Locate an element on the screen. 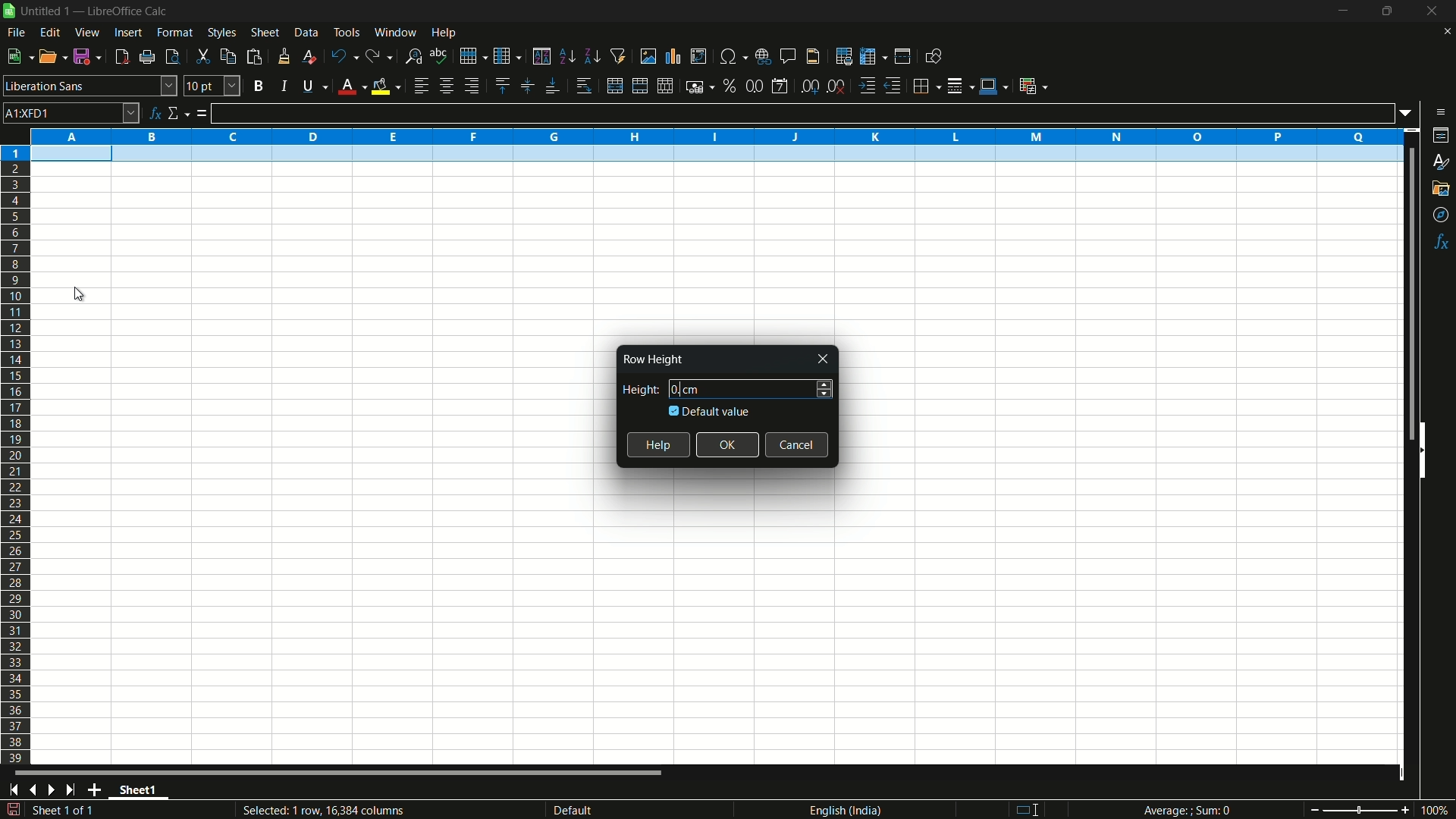 The image size is (1456, 819). formula is located at coordinates (202, 115).